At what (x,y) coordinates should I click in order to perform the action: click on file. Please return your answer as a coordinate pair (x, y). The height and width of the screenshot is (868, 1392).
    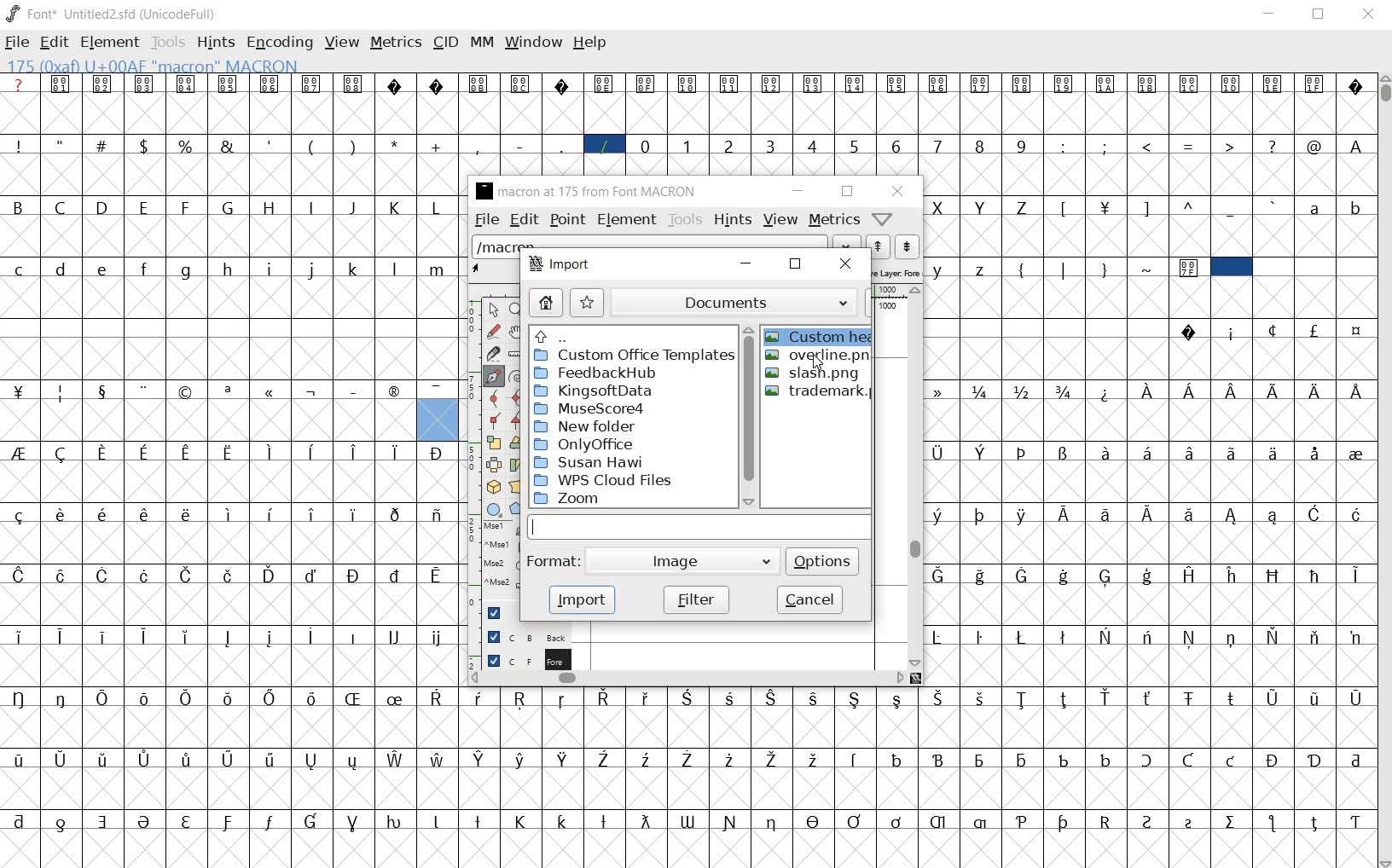
    Looking at the image, I should click on (484, 219).